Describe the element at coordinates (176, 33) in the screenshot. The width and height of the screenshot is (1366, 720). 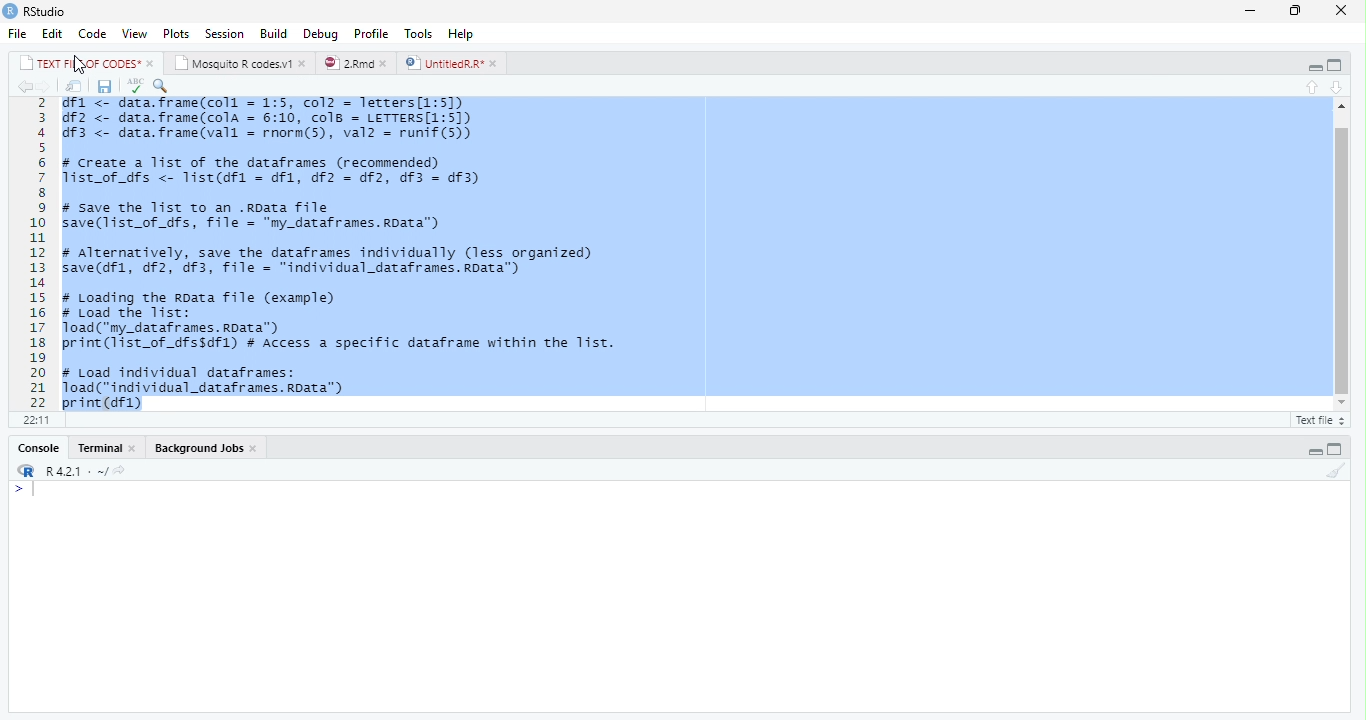
I see `Plots` at that location.